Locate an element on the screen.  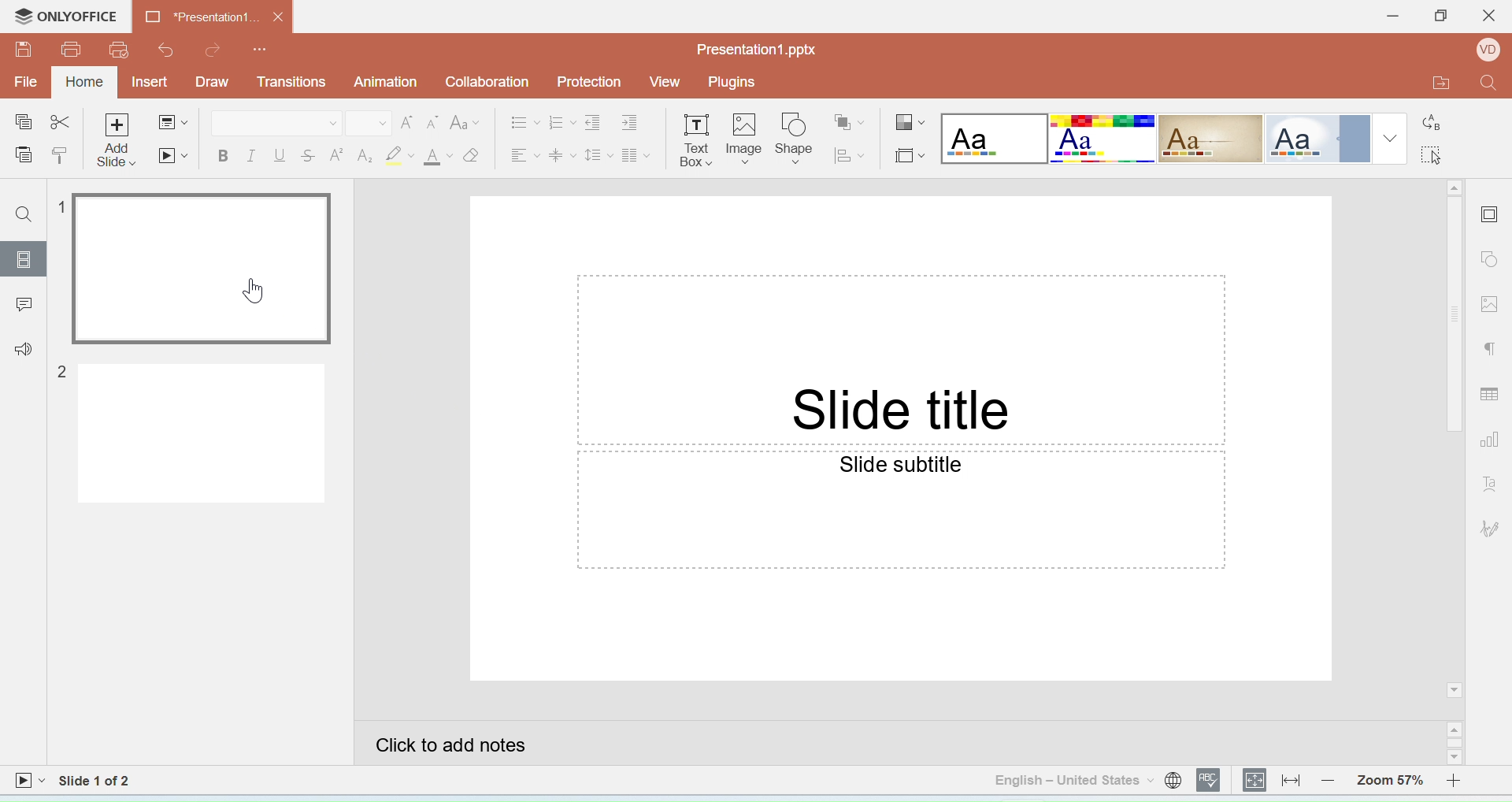
Feedback & support is located at coordinates (23, 347).